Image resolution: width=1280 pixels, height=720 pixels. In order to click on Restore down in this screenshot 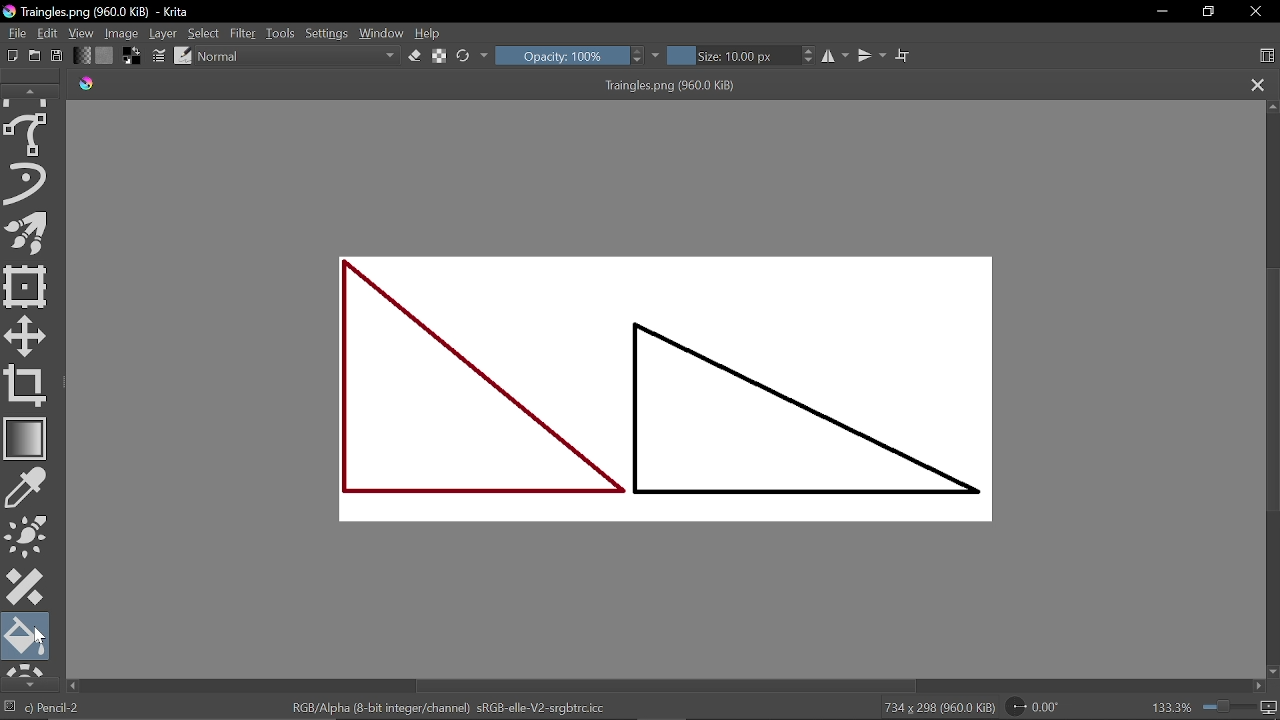, I will do `click(1206, 11)`.